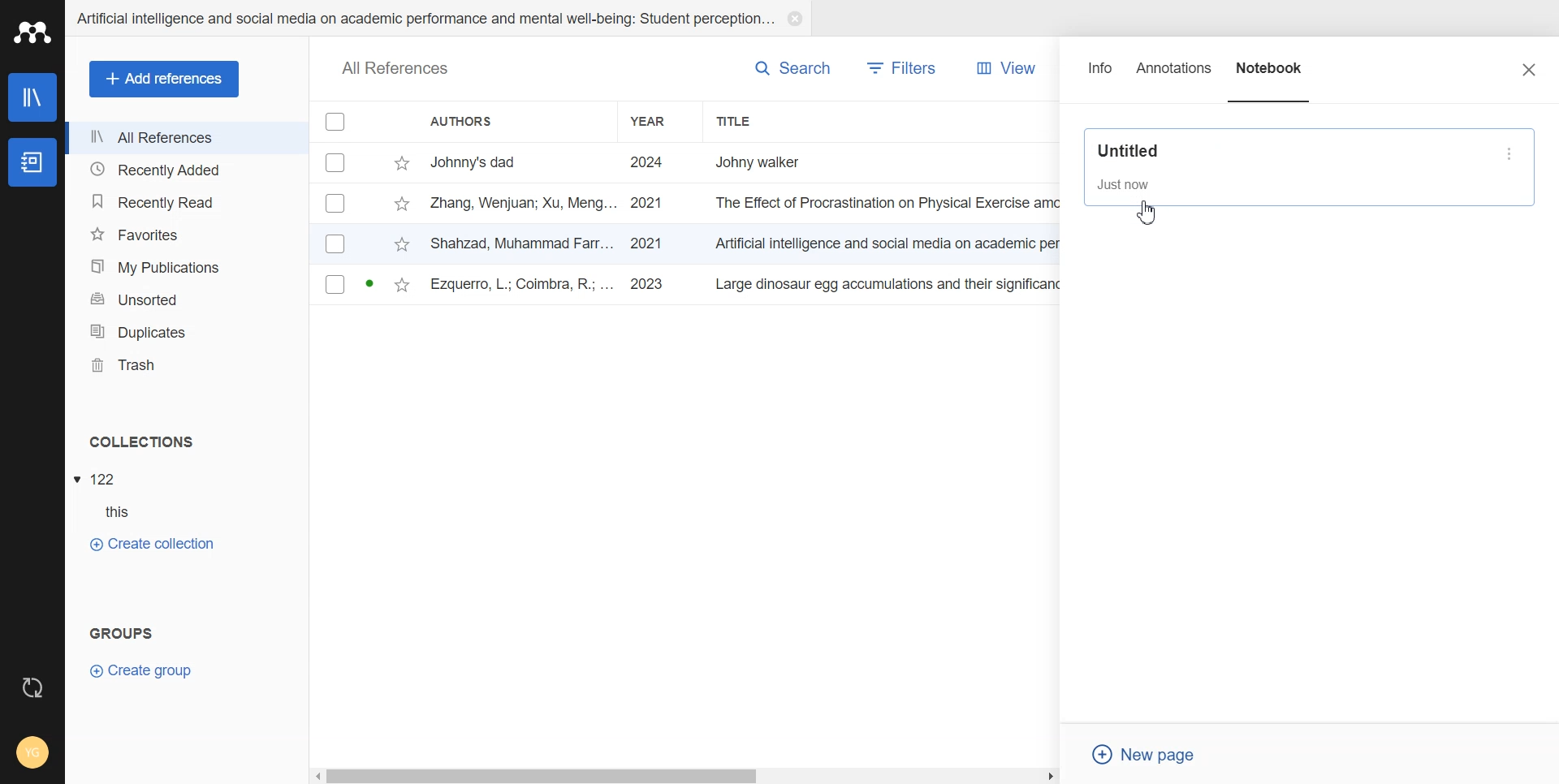  I want to click on star, so click(401, 205).